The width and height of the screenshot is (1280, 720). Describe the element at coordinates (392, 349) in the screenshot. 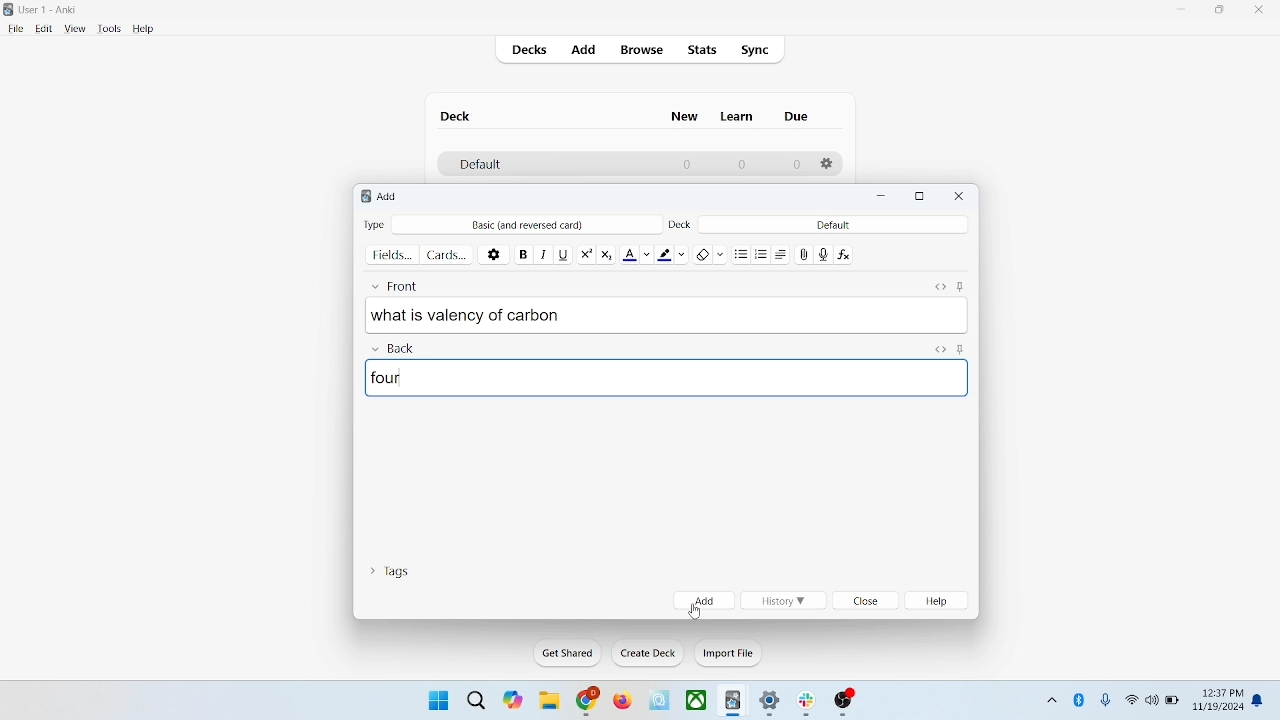

I see `back` at that location.